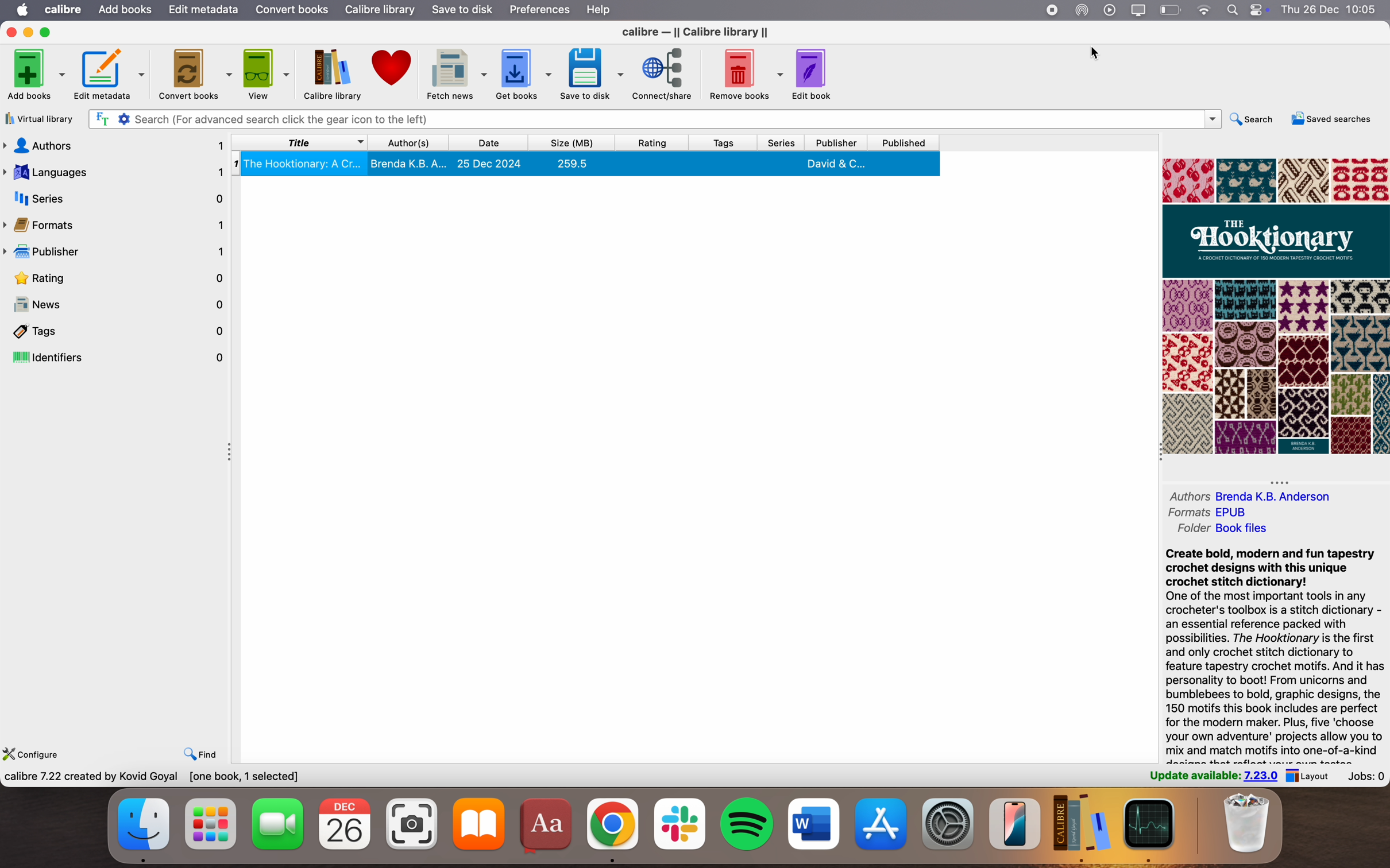  Describe the element at coordinates (121, 278) in the screenshot. I see `rating` at that location.